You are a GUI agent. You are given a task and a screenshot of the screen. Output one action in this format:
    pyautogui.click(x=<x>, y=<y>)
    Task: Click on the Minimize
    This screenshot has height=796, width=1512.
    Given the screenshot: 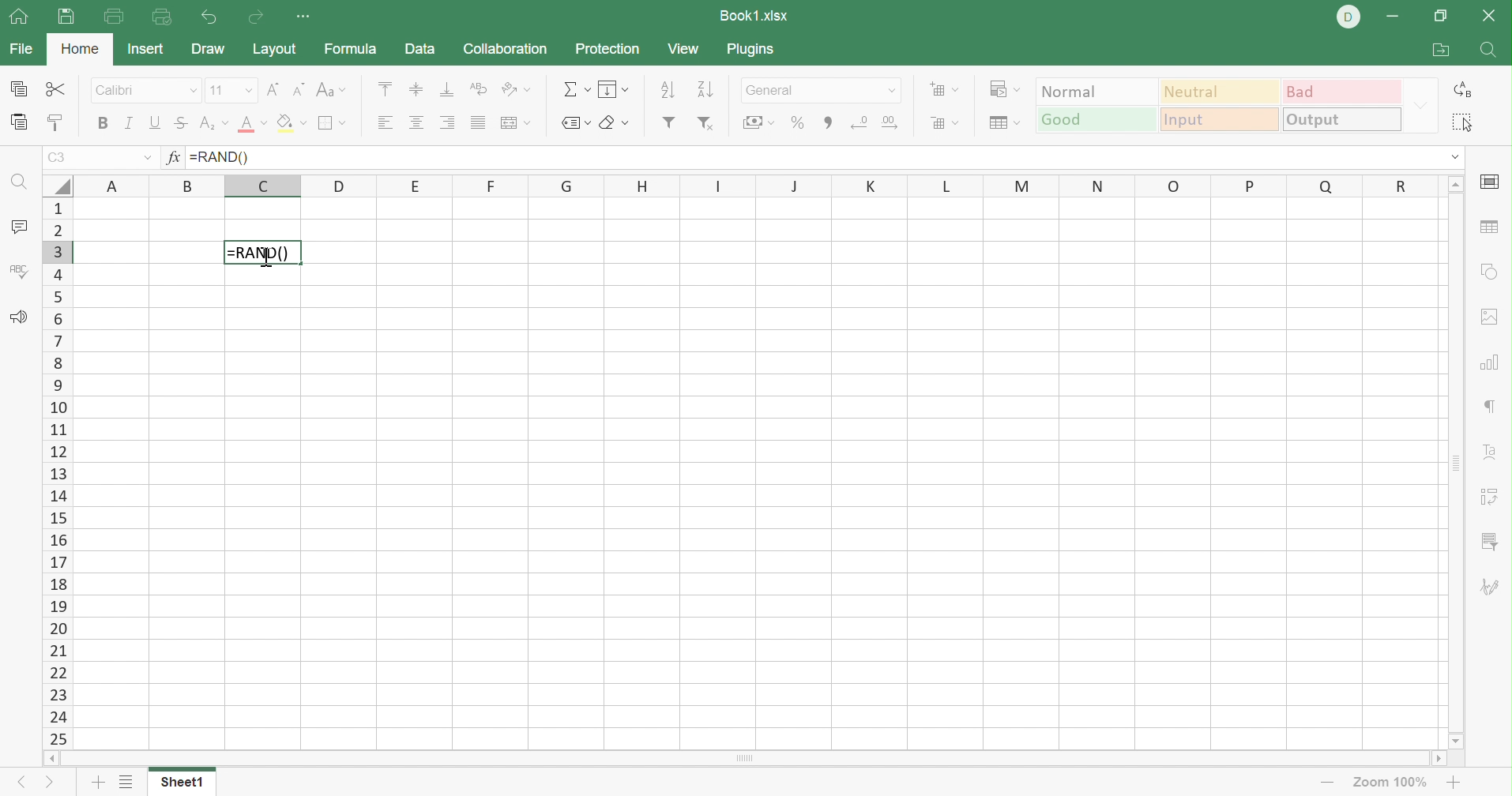 What is the action you would take?
    pyautogui.click(x=1393, y=18)
    